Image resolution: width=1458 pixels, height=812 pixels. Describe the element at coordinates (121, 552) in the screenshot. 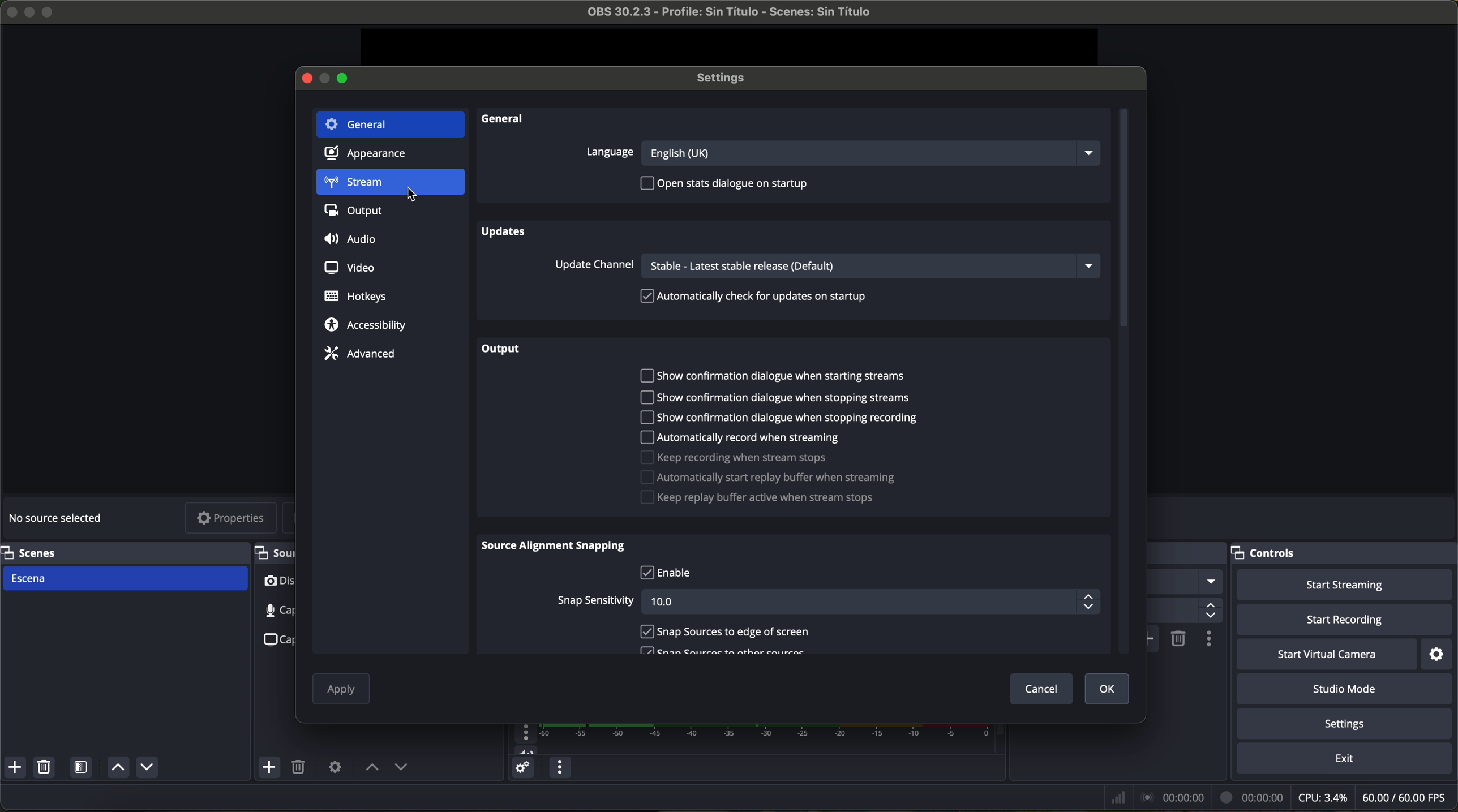

I see `scenes` at that location.